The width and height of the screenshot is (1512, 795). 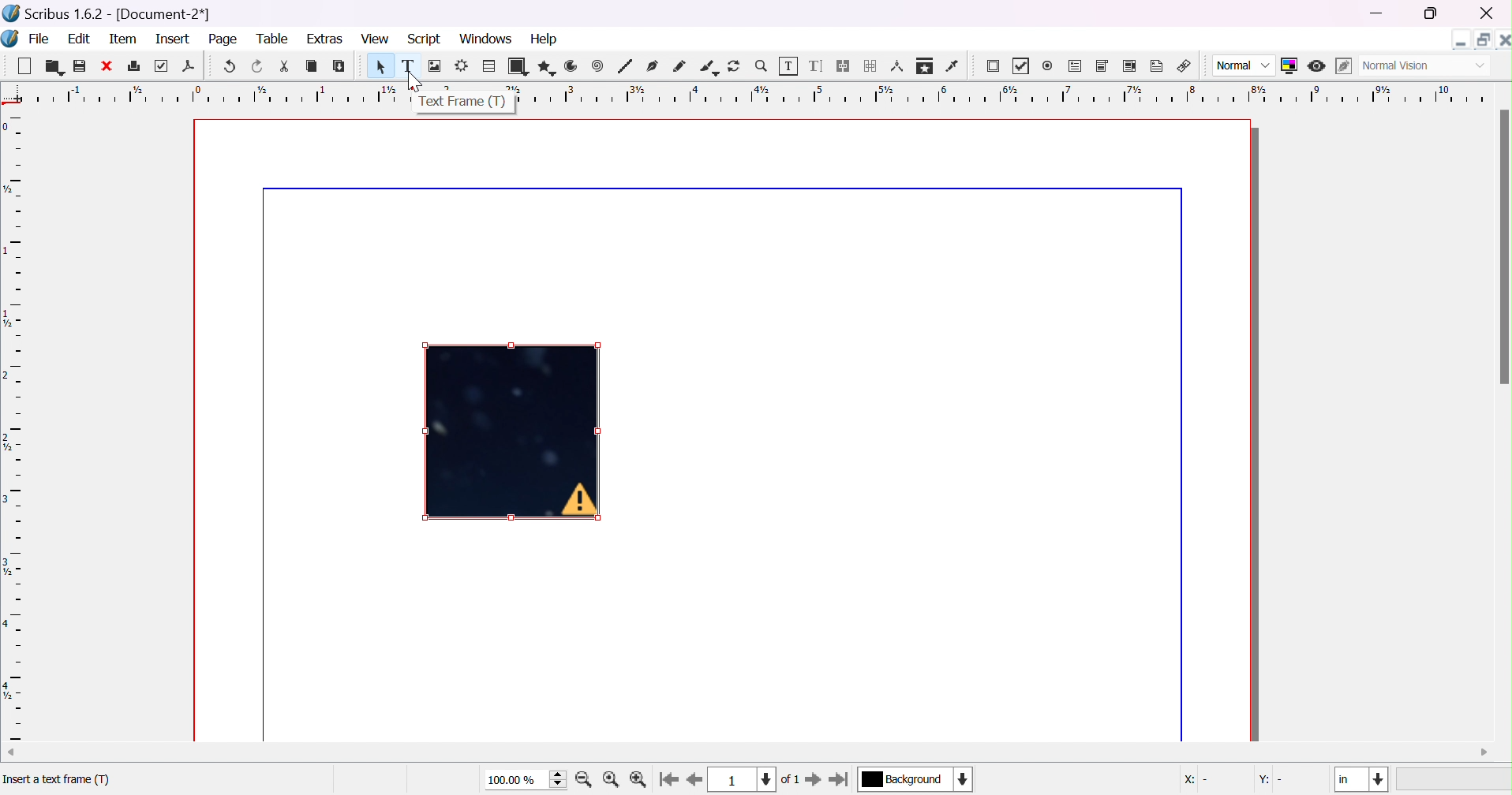 What do you see at coordinates (653, 65) in the screenshot?
I see `bezier curve` at bounding box center [653, 65].